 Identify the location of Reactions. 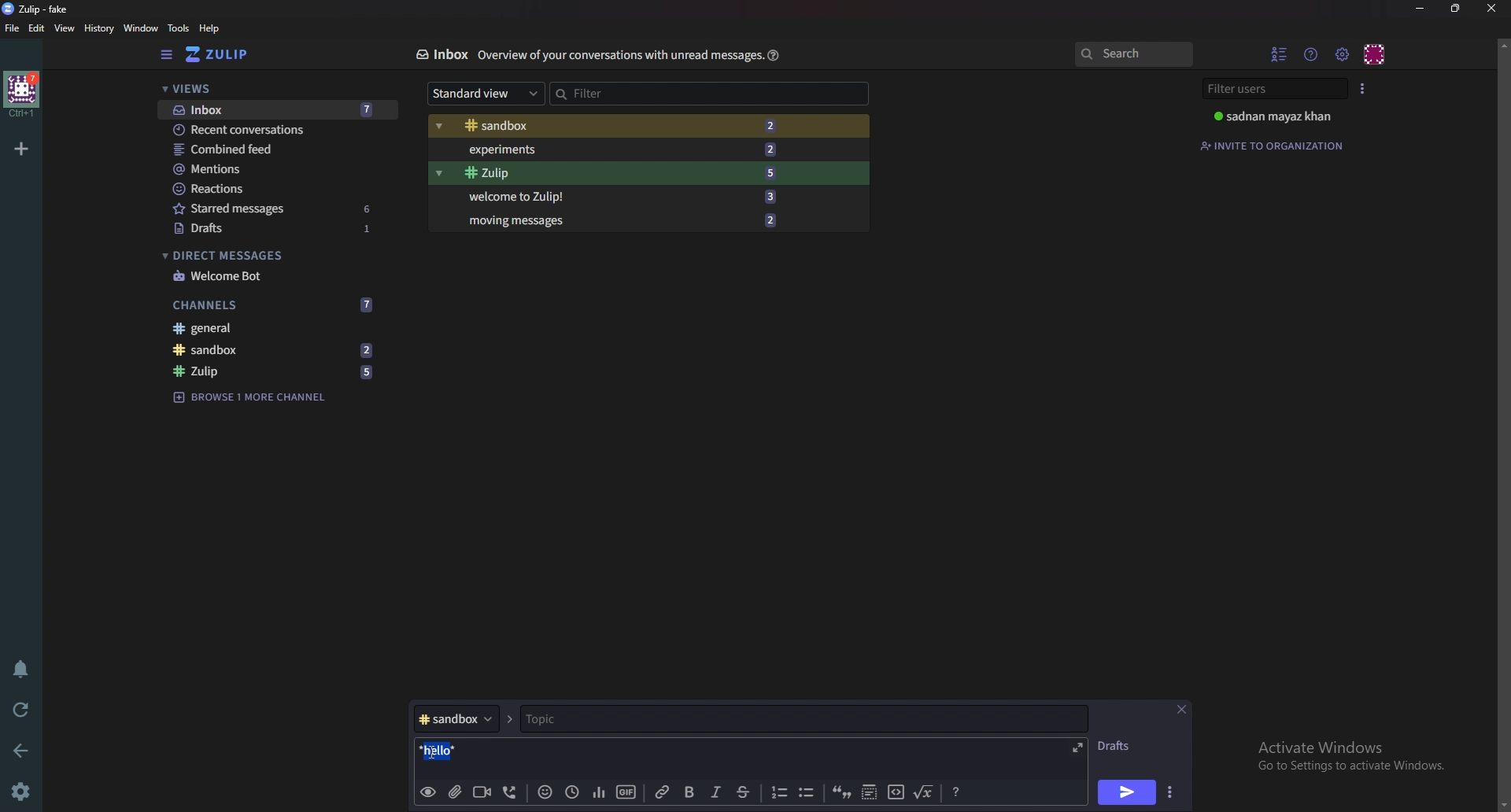
(272, 189).